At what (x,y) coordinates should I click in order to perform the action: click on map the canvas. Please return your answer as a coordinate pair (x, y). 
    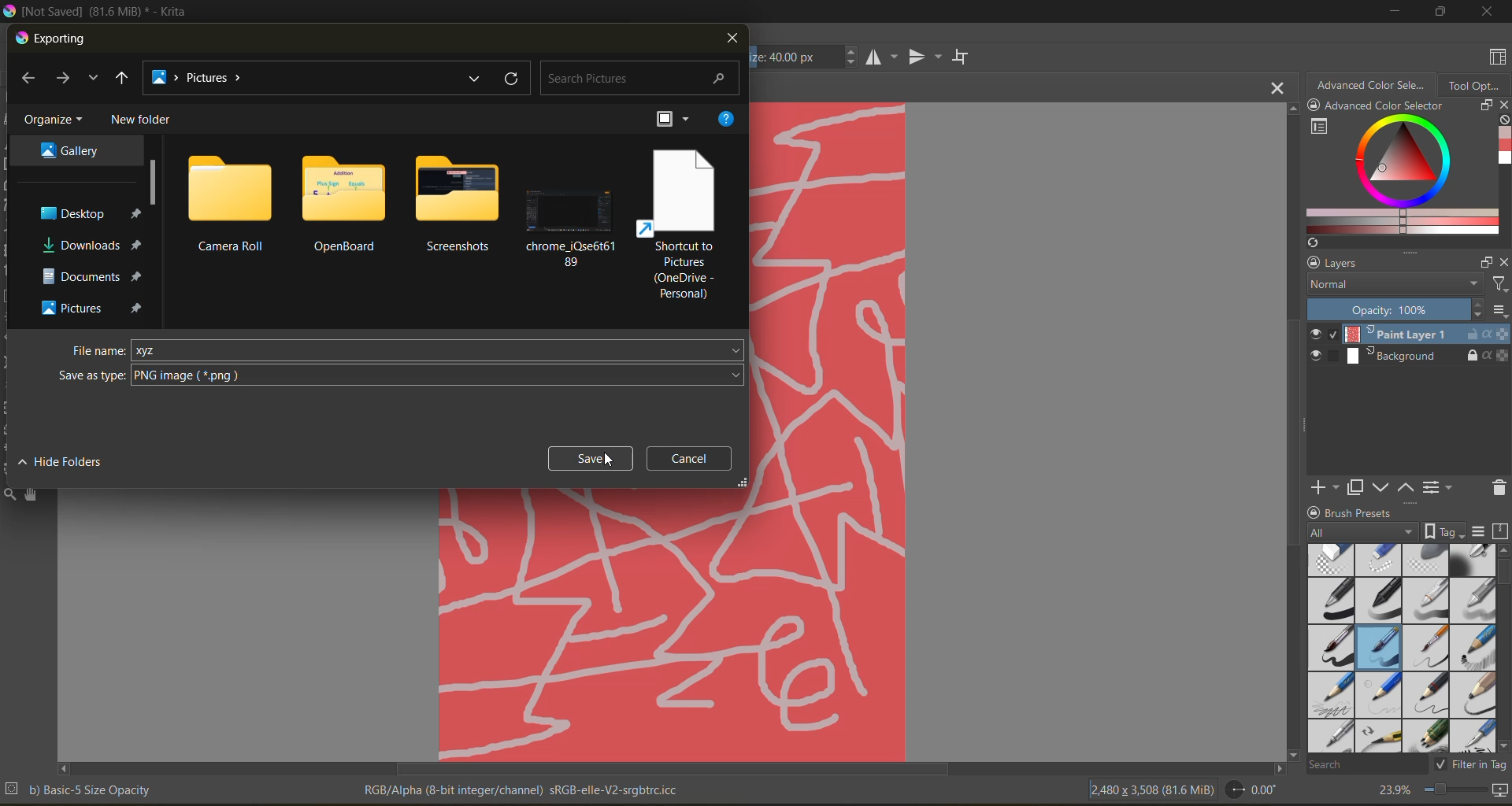
    Looking at the image, I should click on (1502, 793).